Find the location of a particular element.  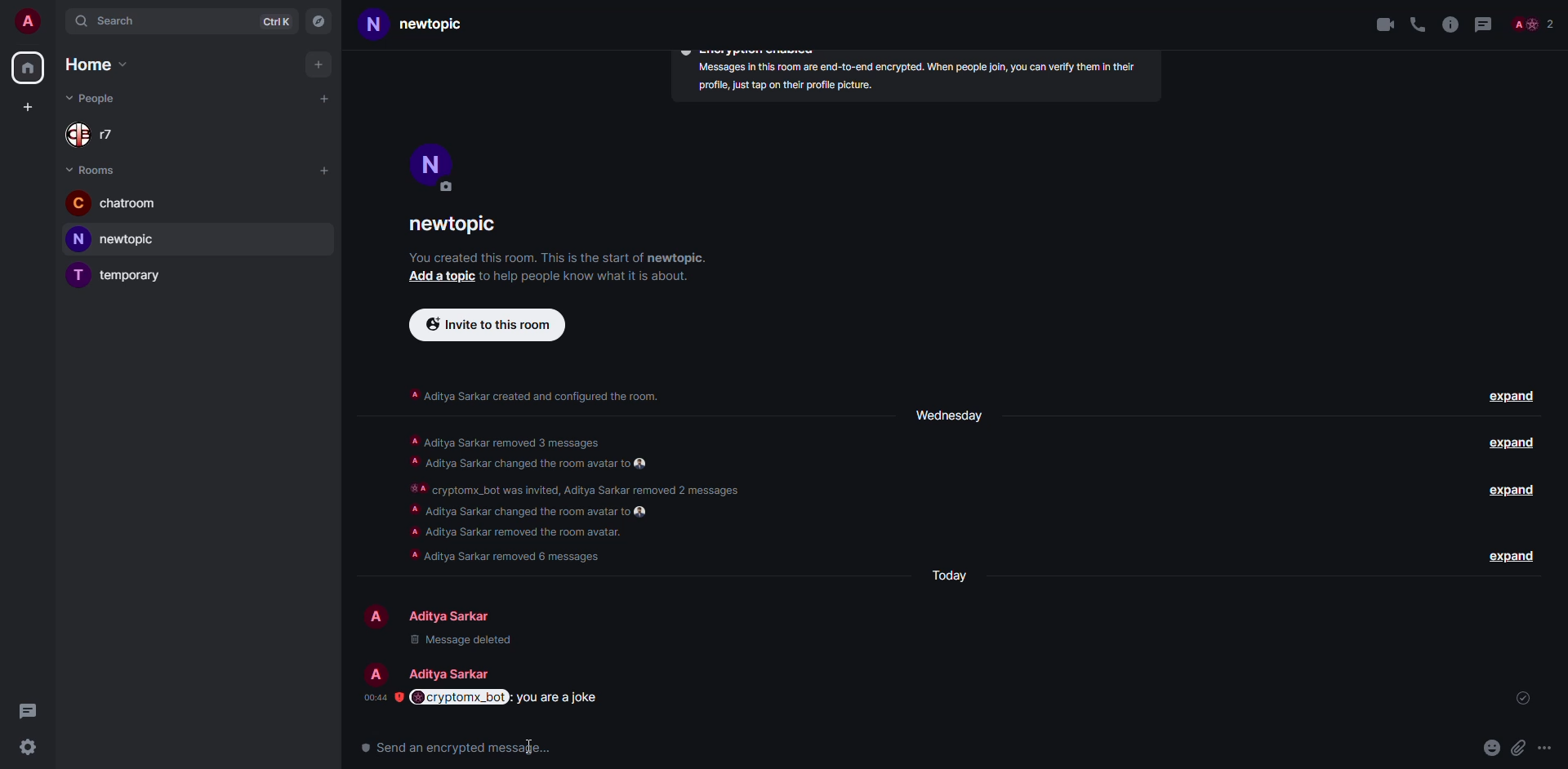

info is located at coordinates (572, 506).